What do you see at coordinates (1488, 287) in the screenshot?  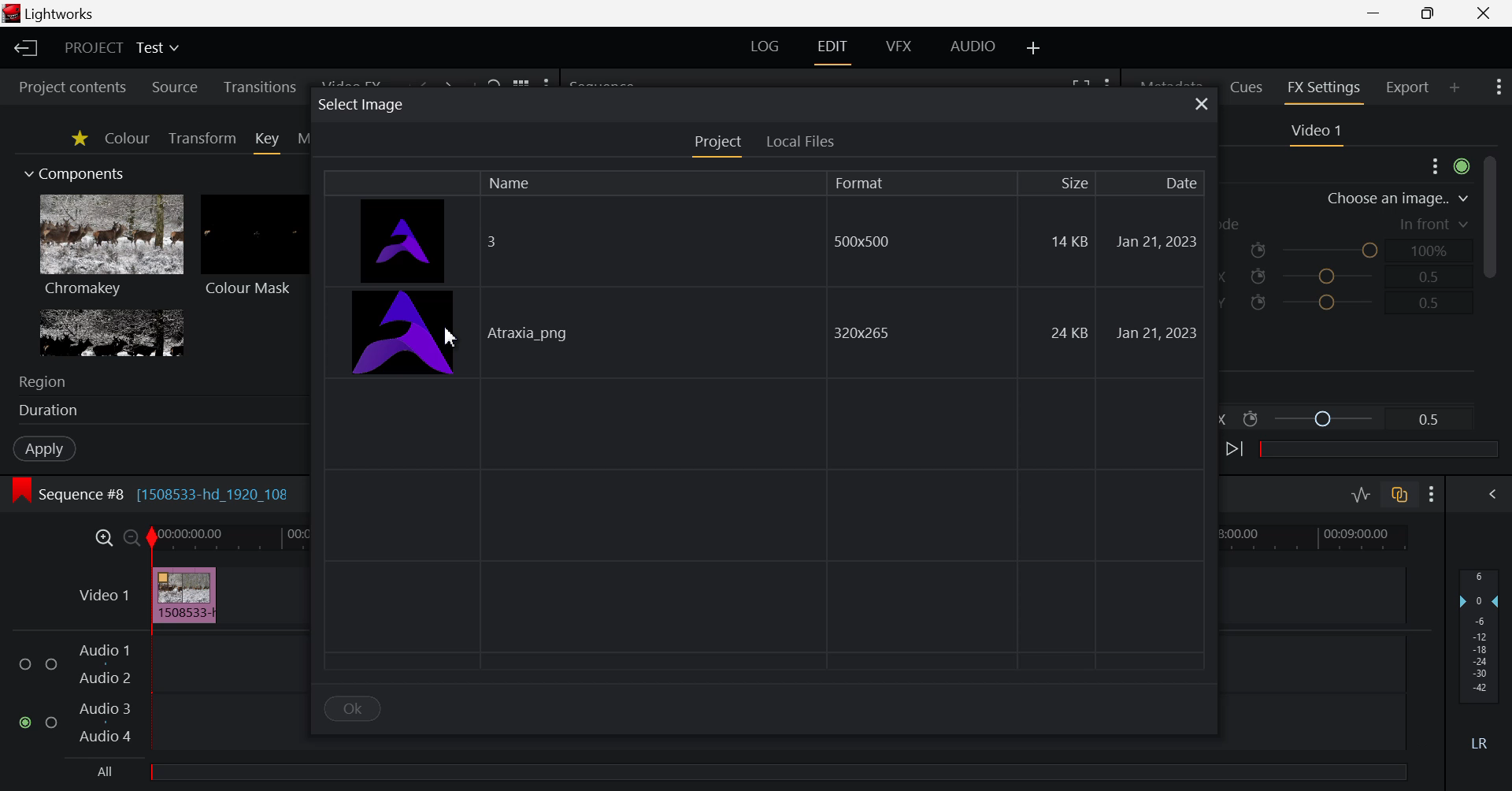 I see `Scroll Bar` at bounding box center [1488, 287].